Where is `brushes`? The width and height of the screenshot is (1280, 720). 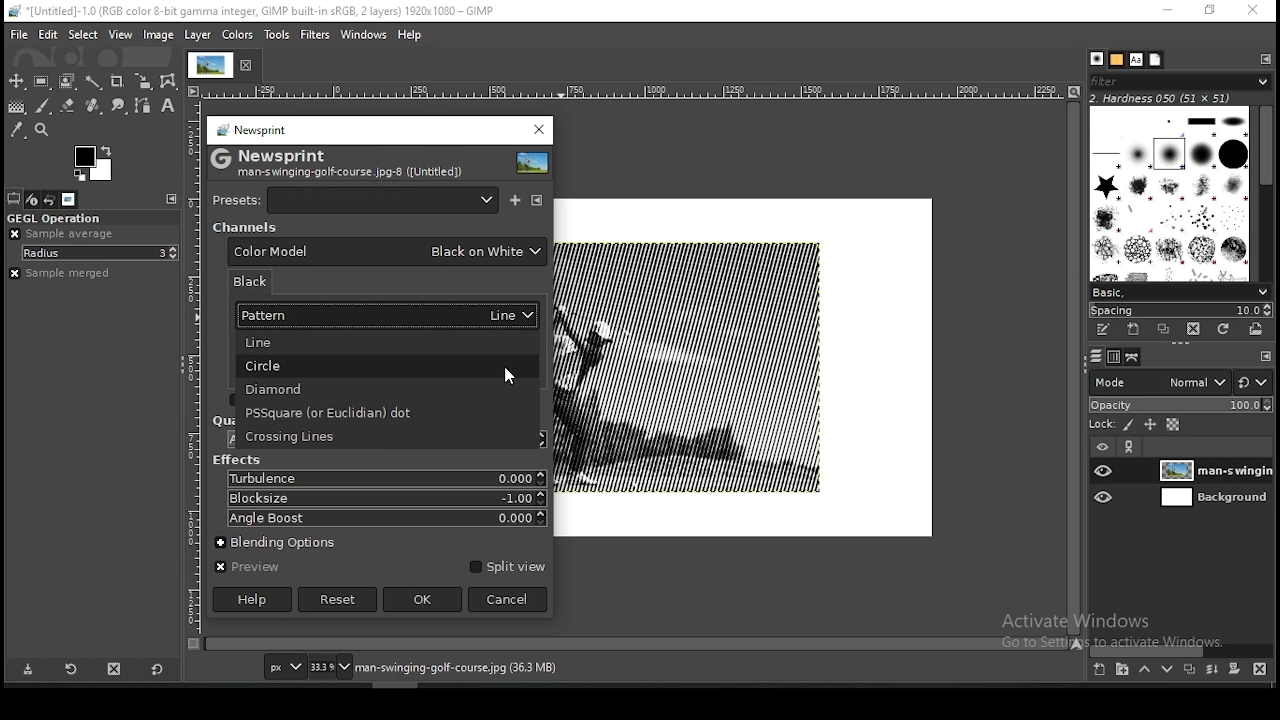 brushes is located at coordinates (1096, 58).